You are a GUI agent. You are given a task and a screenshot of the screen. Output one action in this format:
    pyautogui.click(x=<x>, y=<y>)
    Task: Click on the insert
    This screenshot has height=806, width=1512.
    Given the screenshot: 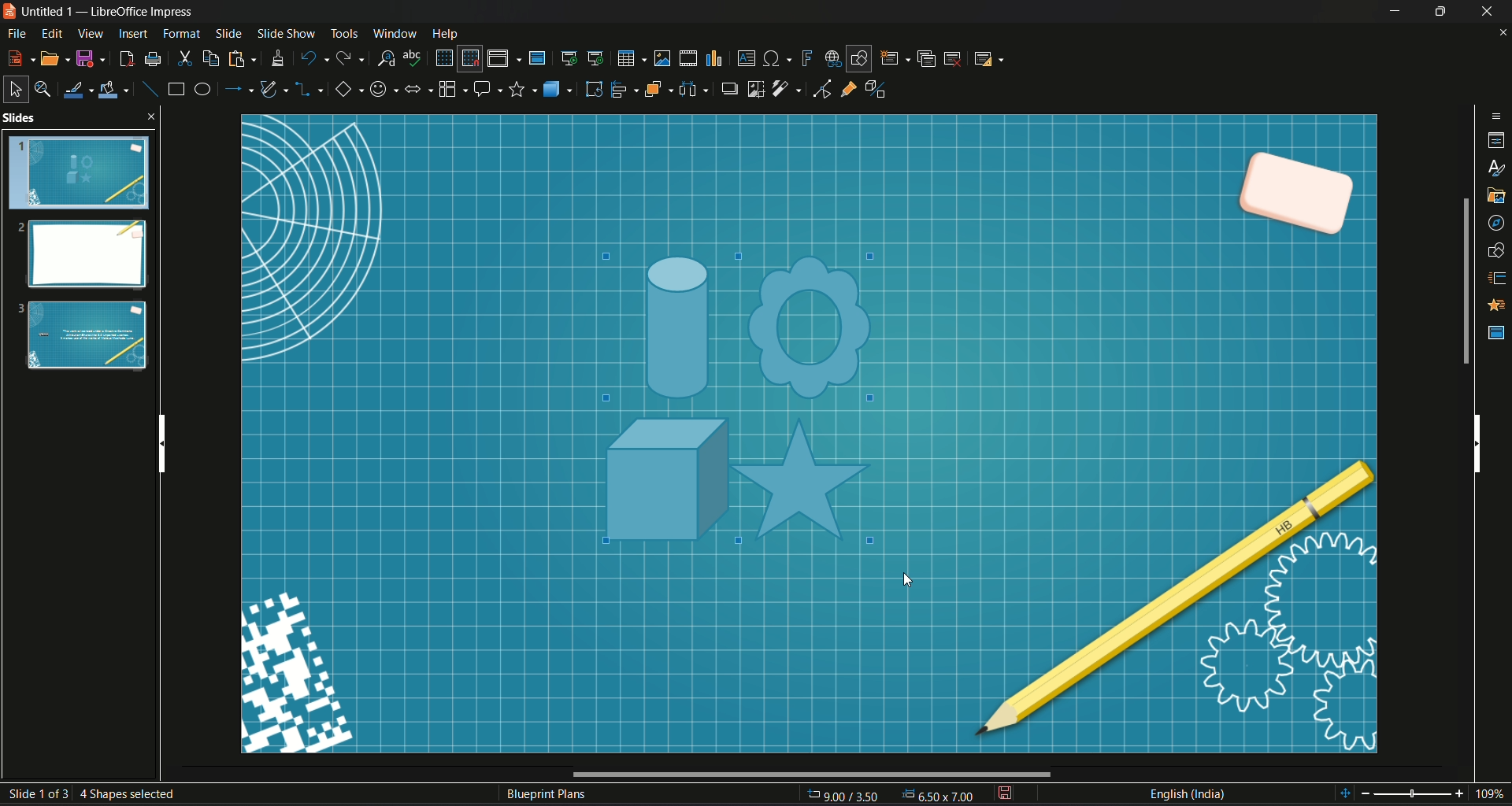 What is the action you would take?
    pyautogui.click(x=132, y=34)
    